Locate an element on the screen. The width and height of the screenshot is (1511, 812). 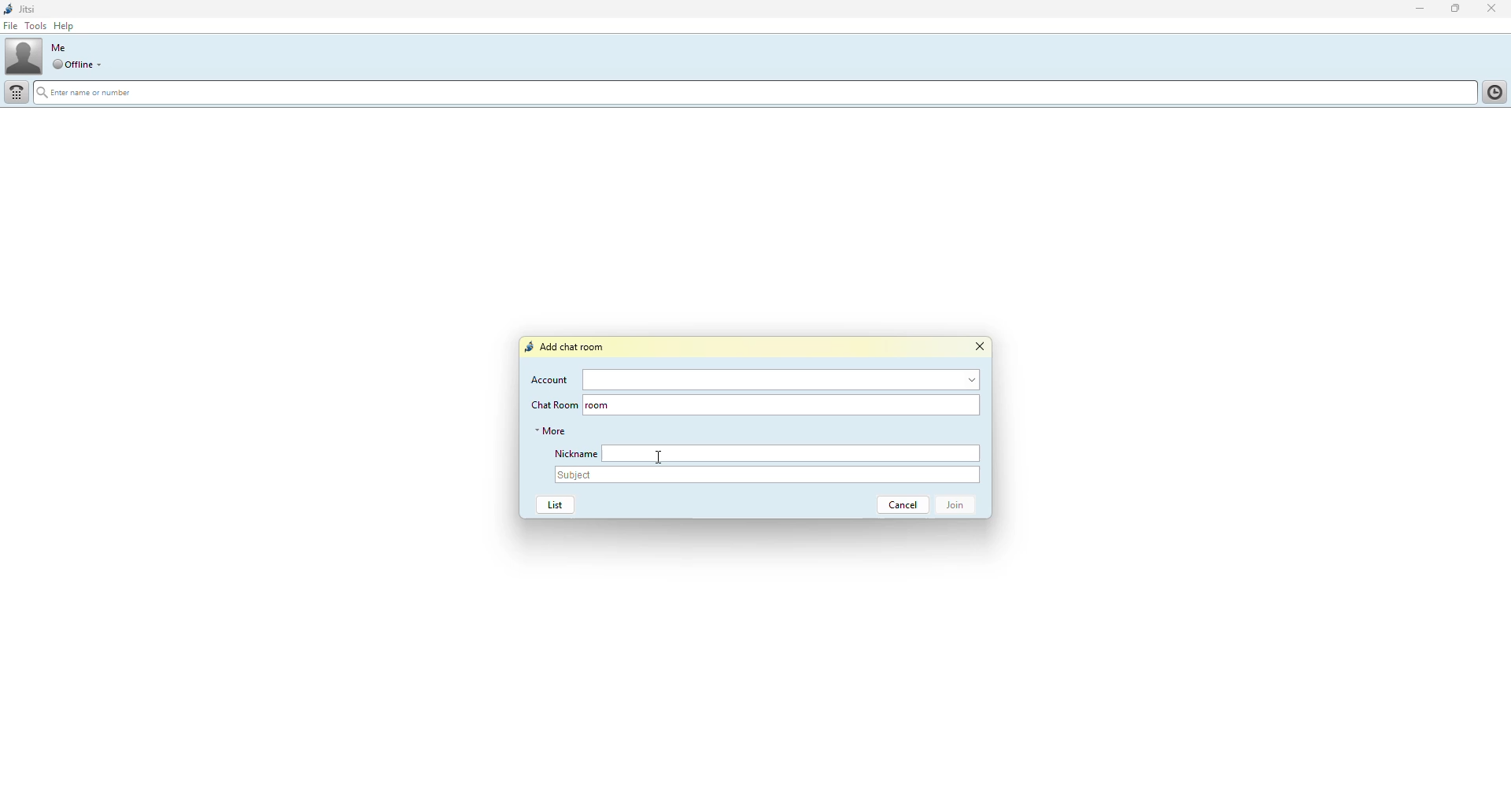
profile is located at coordinates (24, 59).